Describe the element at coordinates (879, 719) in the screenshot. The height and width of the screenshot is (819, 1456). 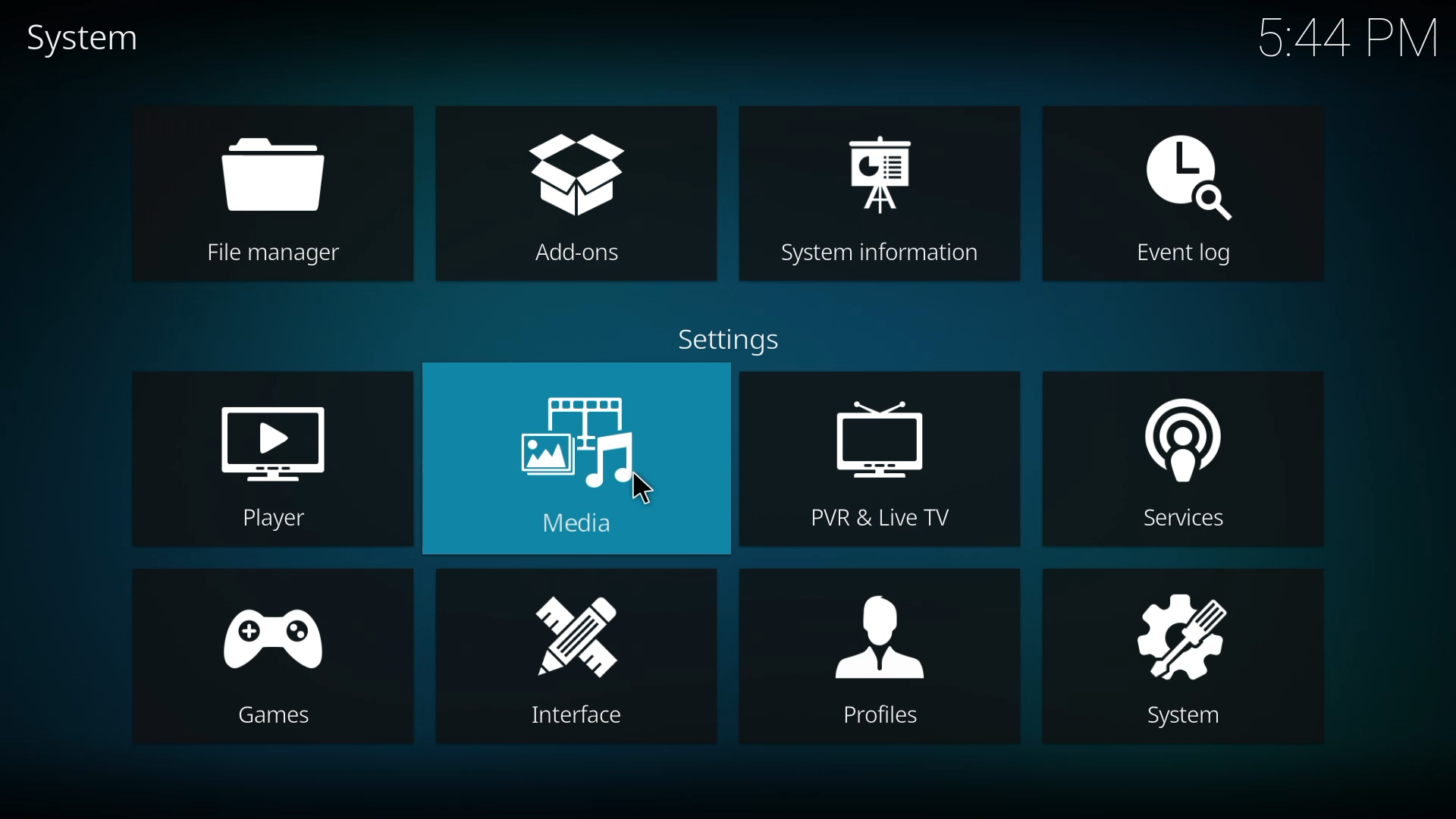
I see `Profiles` at that location.